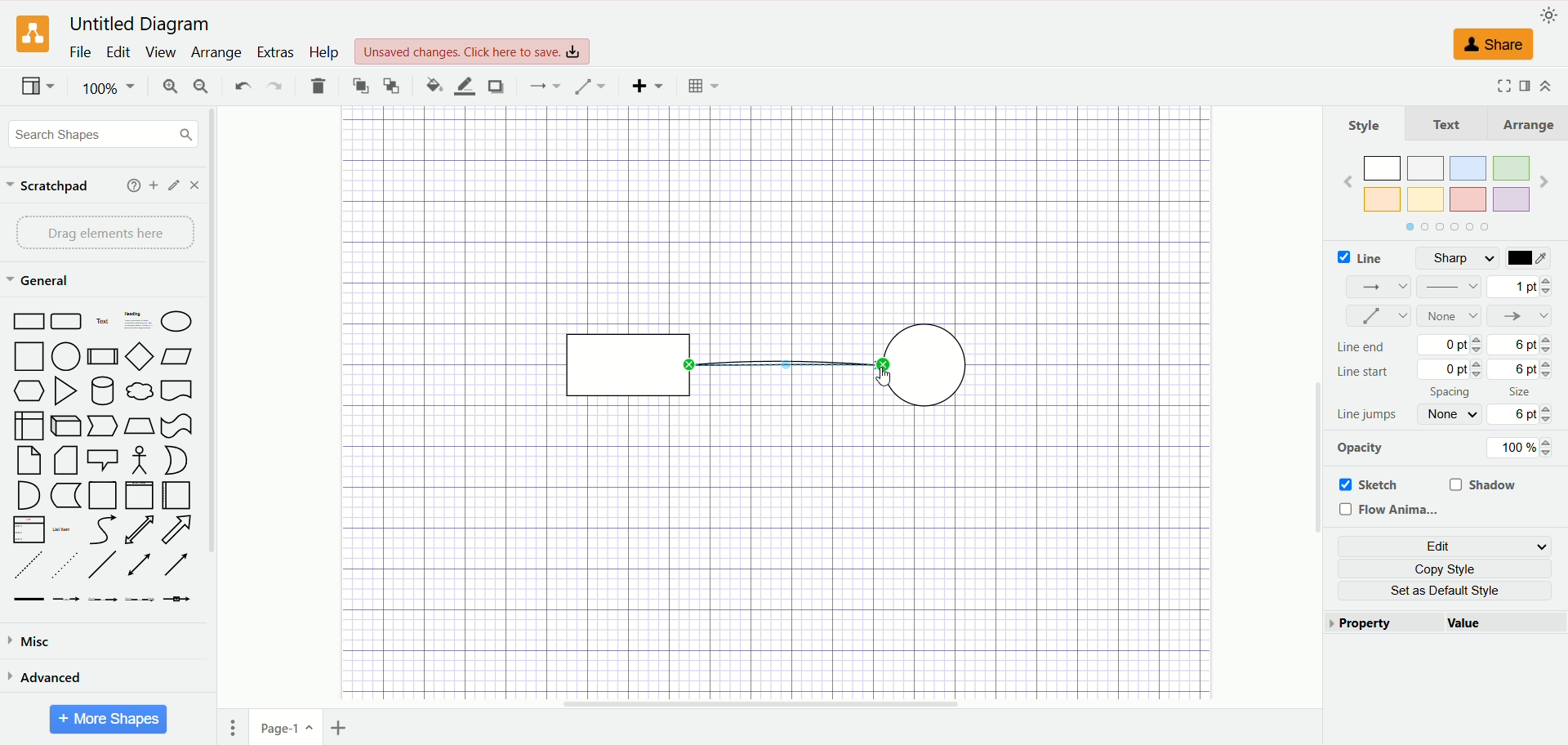  I want to click on Color 5, so click(1383, 201).